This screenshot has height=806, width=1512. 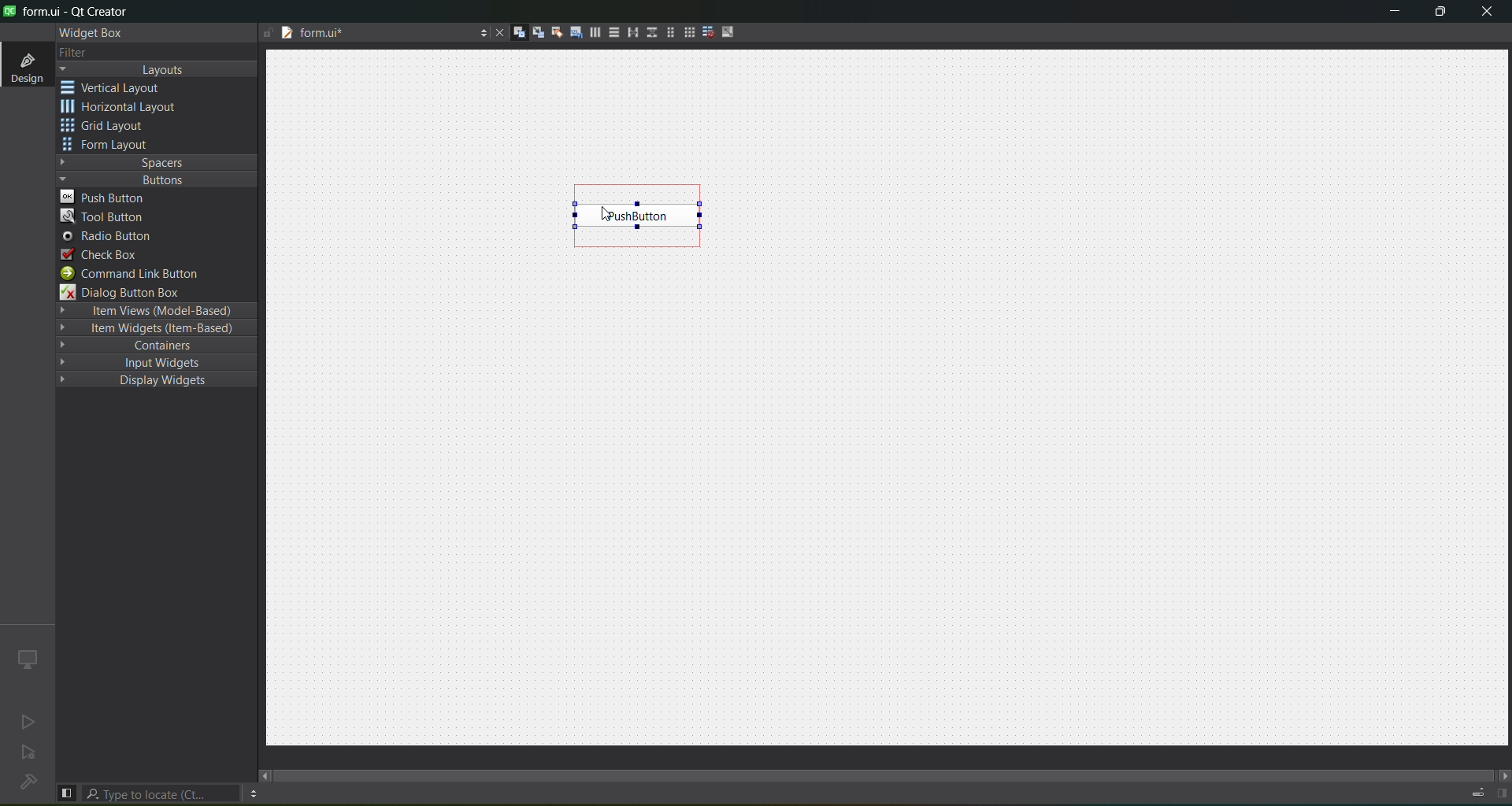 I want to click on radio button, so click(x=107, y=238).